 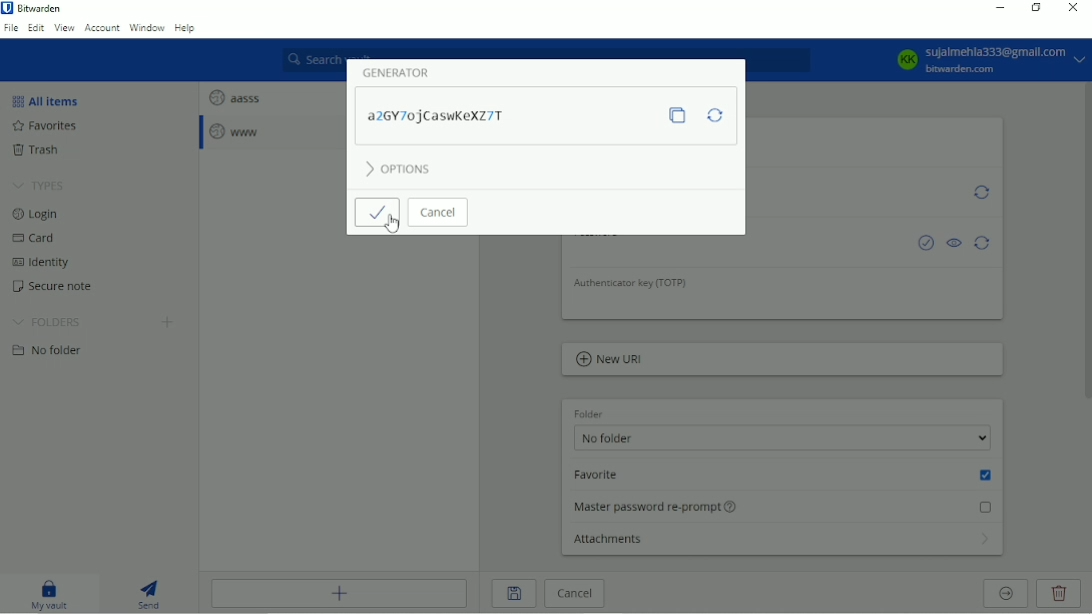 I want to click on Password, so click(x=436, y=115).